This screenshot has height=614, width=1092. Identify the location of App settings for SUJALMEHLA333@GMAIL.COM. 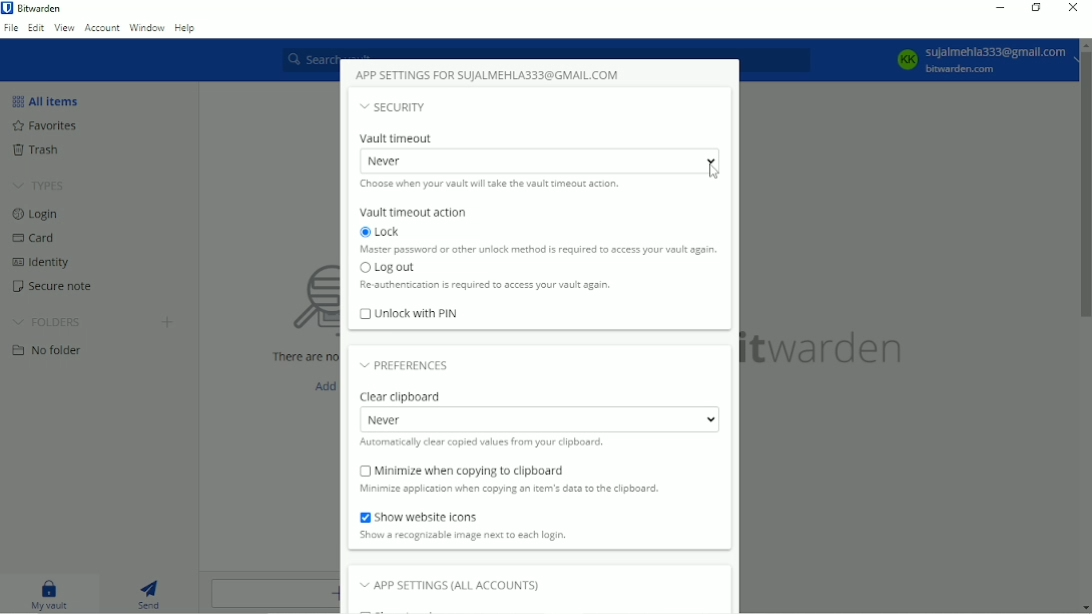
(490, 75).